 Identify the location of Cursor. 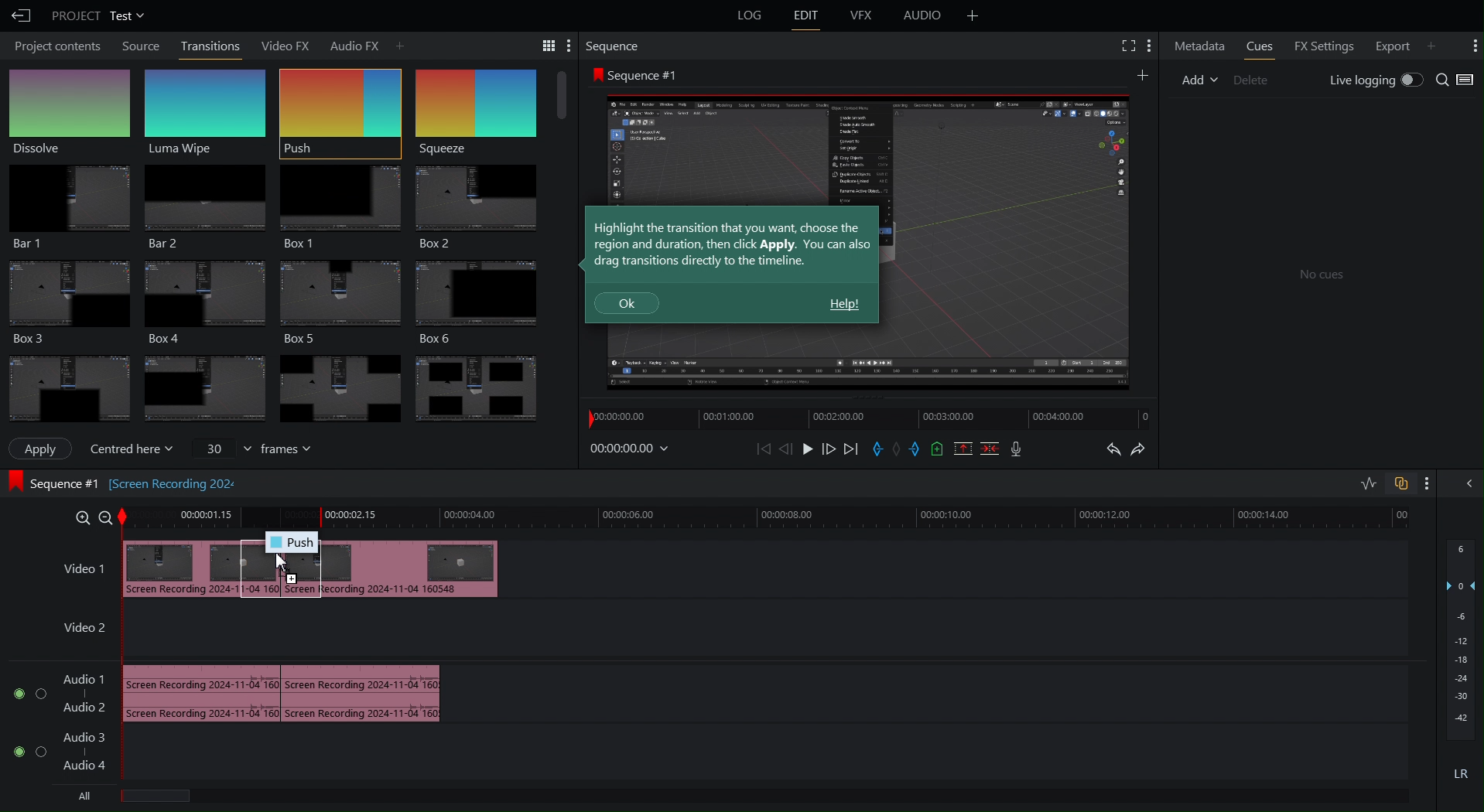
(352, 121).